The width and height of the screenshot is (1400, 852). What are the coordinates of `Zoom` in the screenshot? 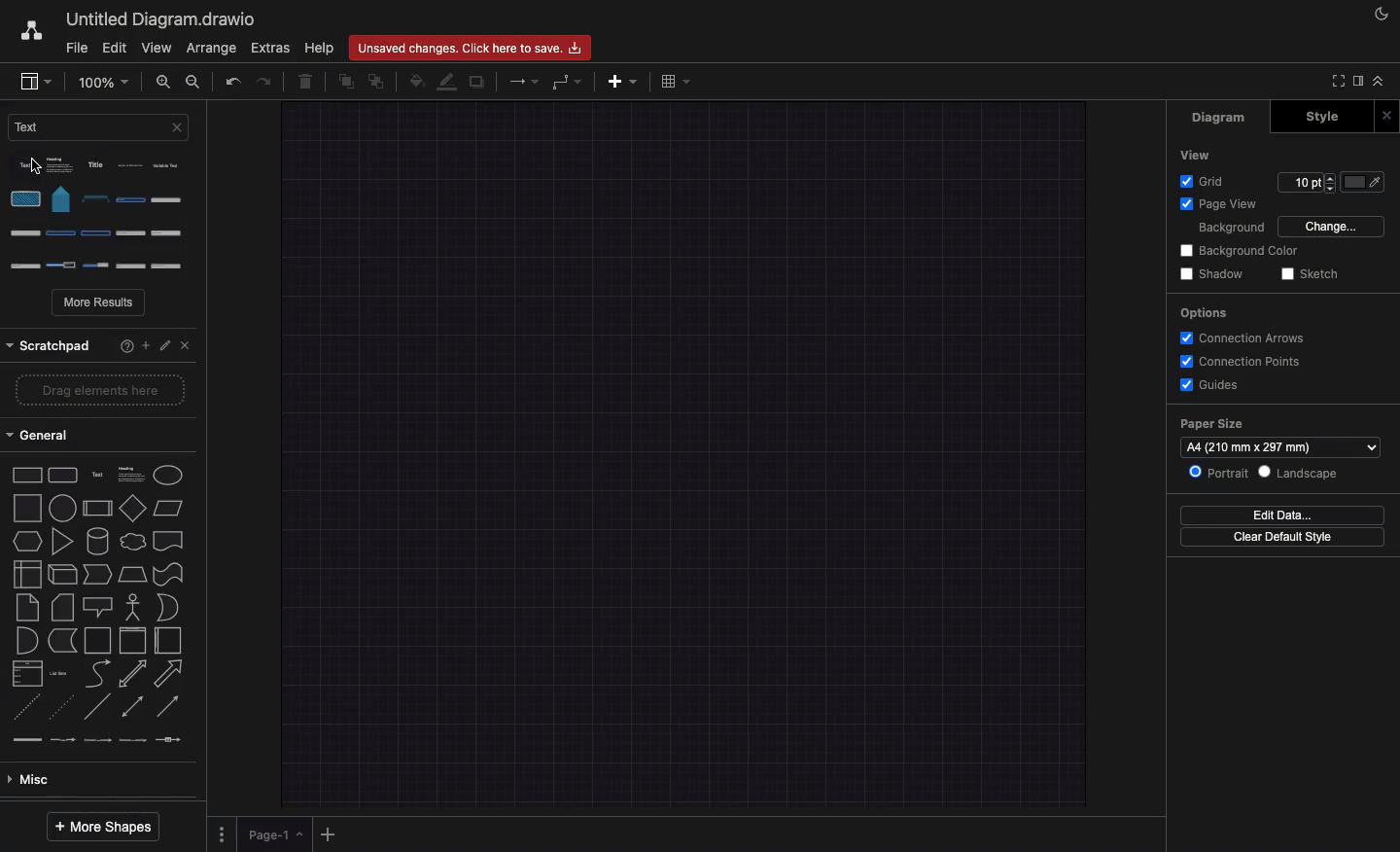 It's located at (102, 81).